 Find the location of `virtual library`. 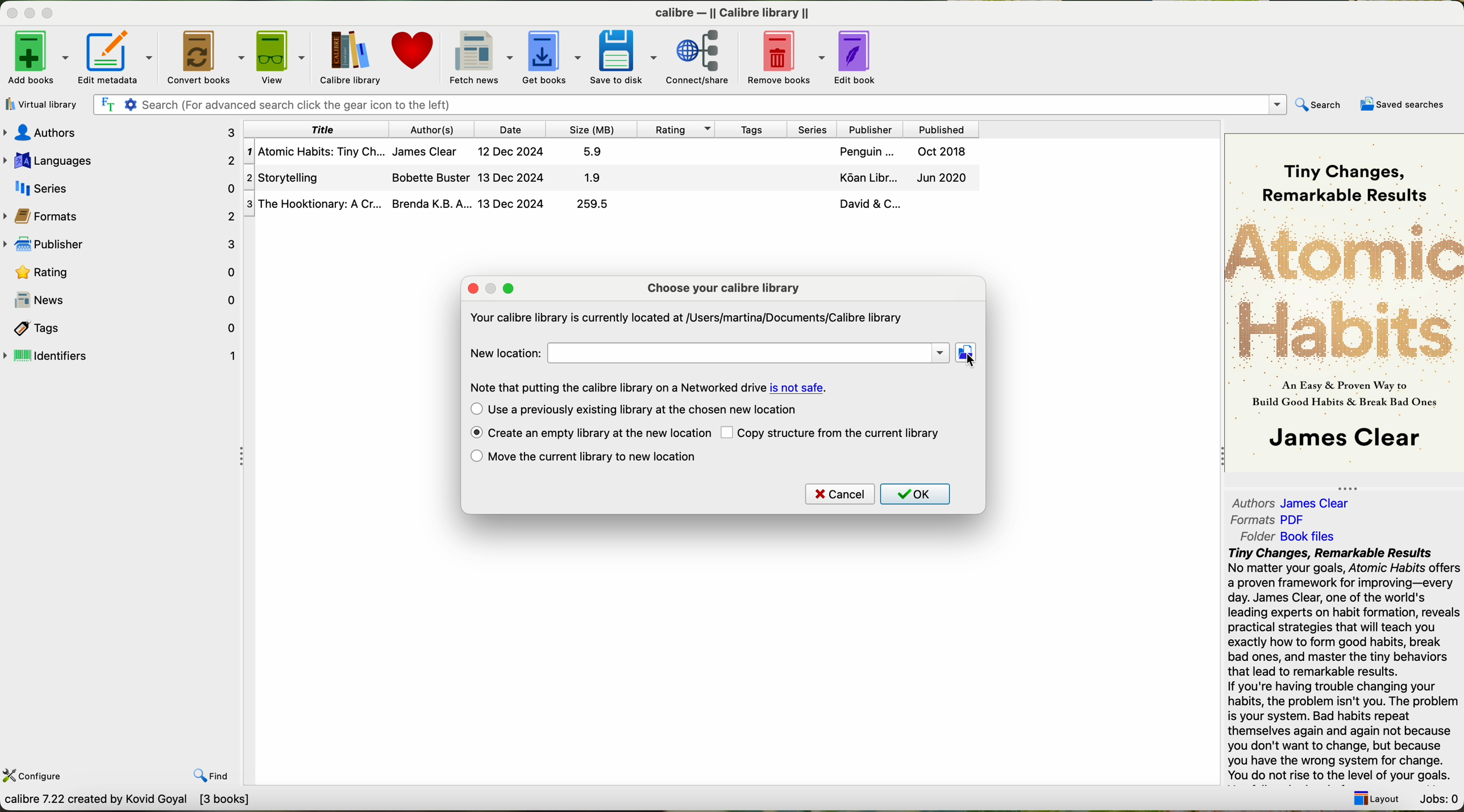

virtual library is located at coordinates (39, 104).